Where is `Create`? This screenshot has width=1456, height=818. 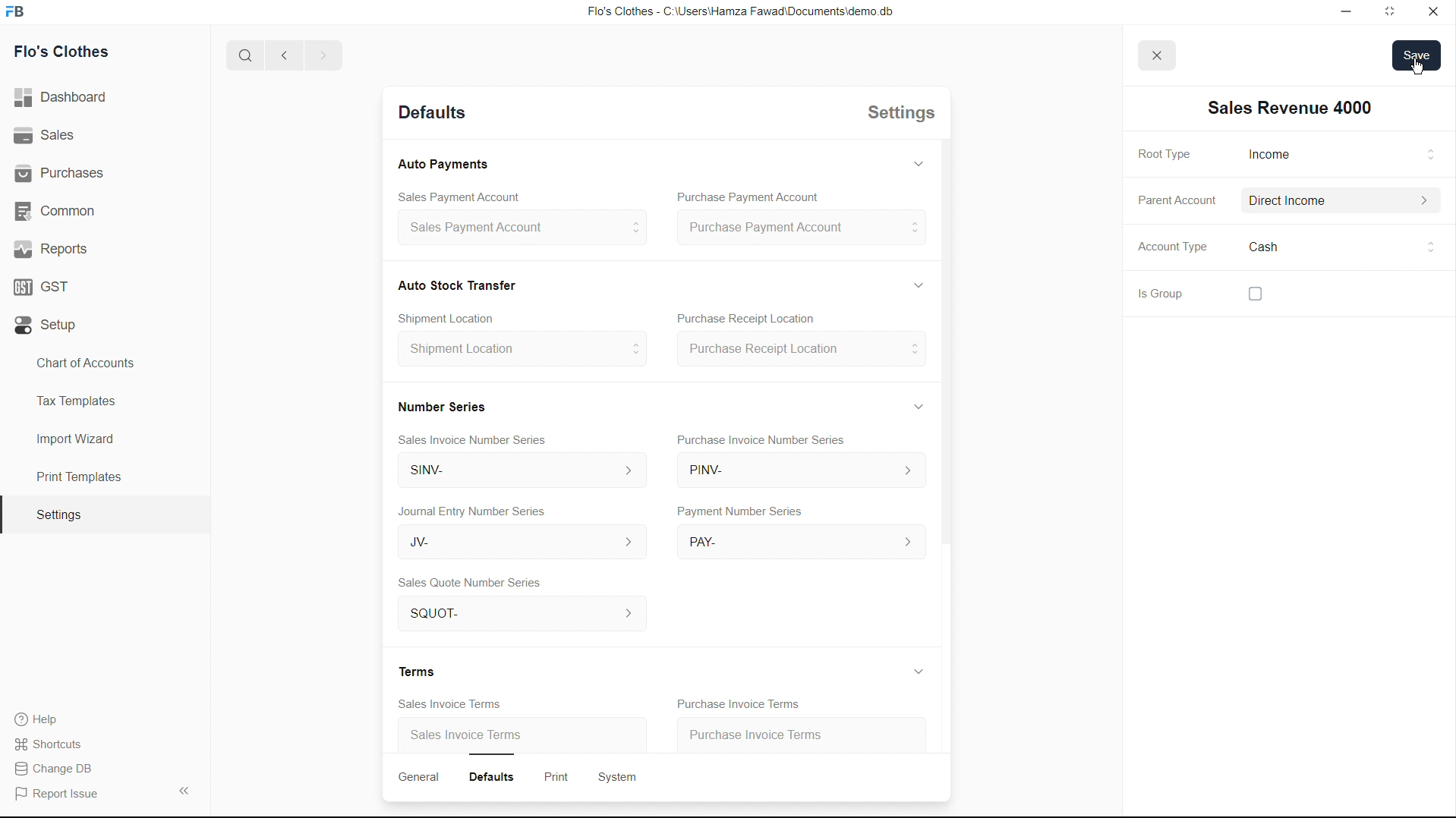
Create is located at coordinates (456, 315).